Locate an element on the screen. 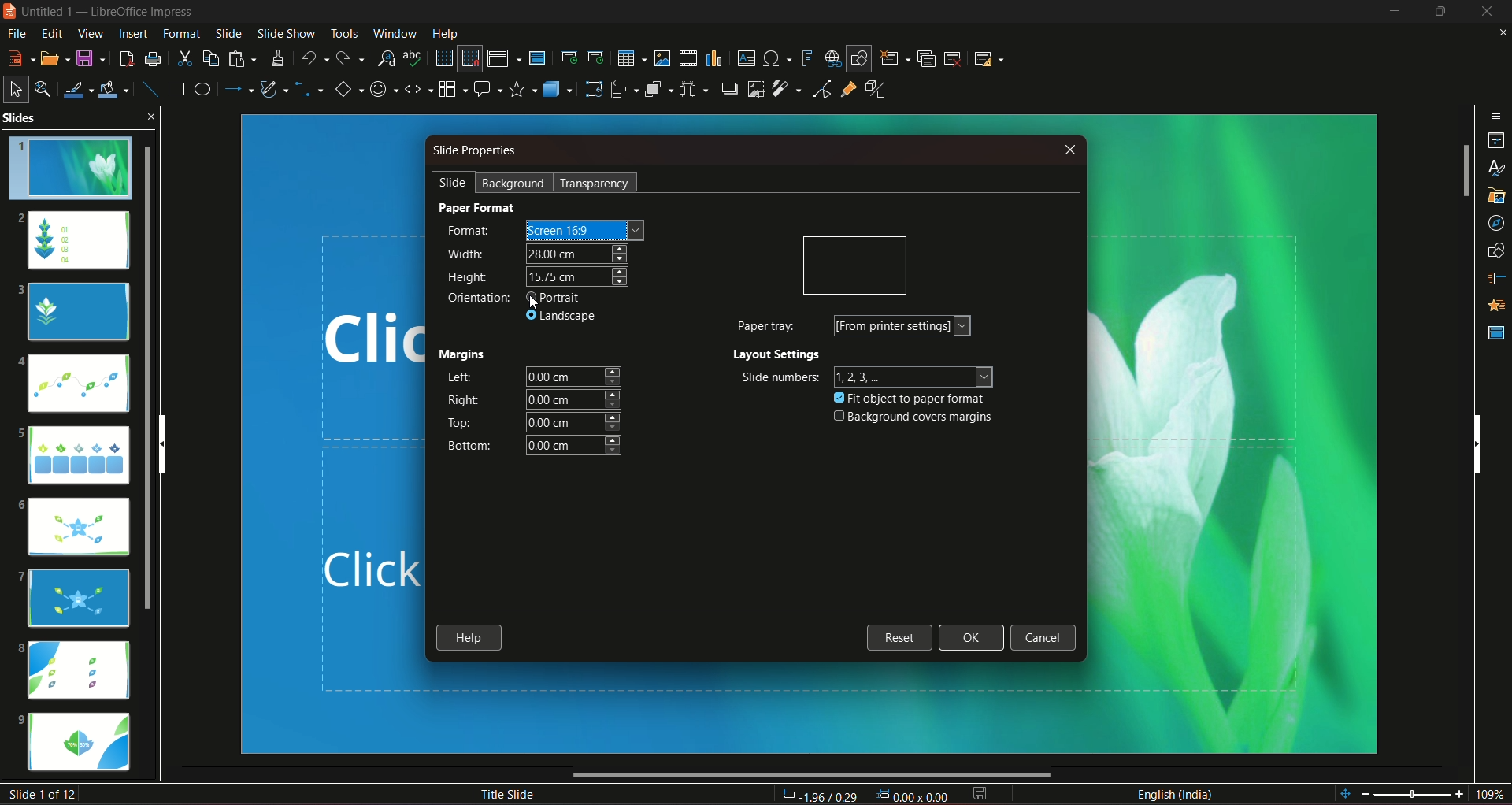 Image resolution: width=1512 pixels, height=805 pixels. help is located at coordinates (470, 639).